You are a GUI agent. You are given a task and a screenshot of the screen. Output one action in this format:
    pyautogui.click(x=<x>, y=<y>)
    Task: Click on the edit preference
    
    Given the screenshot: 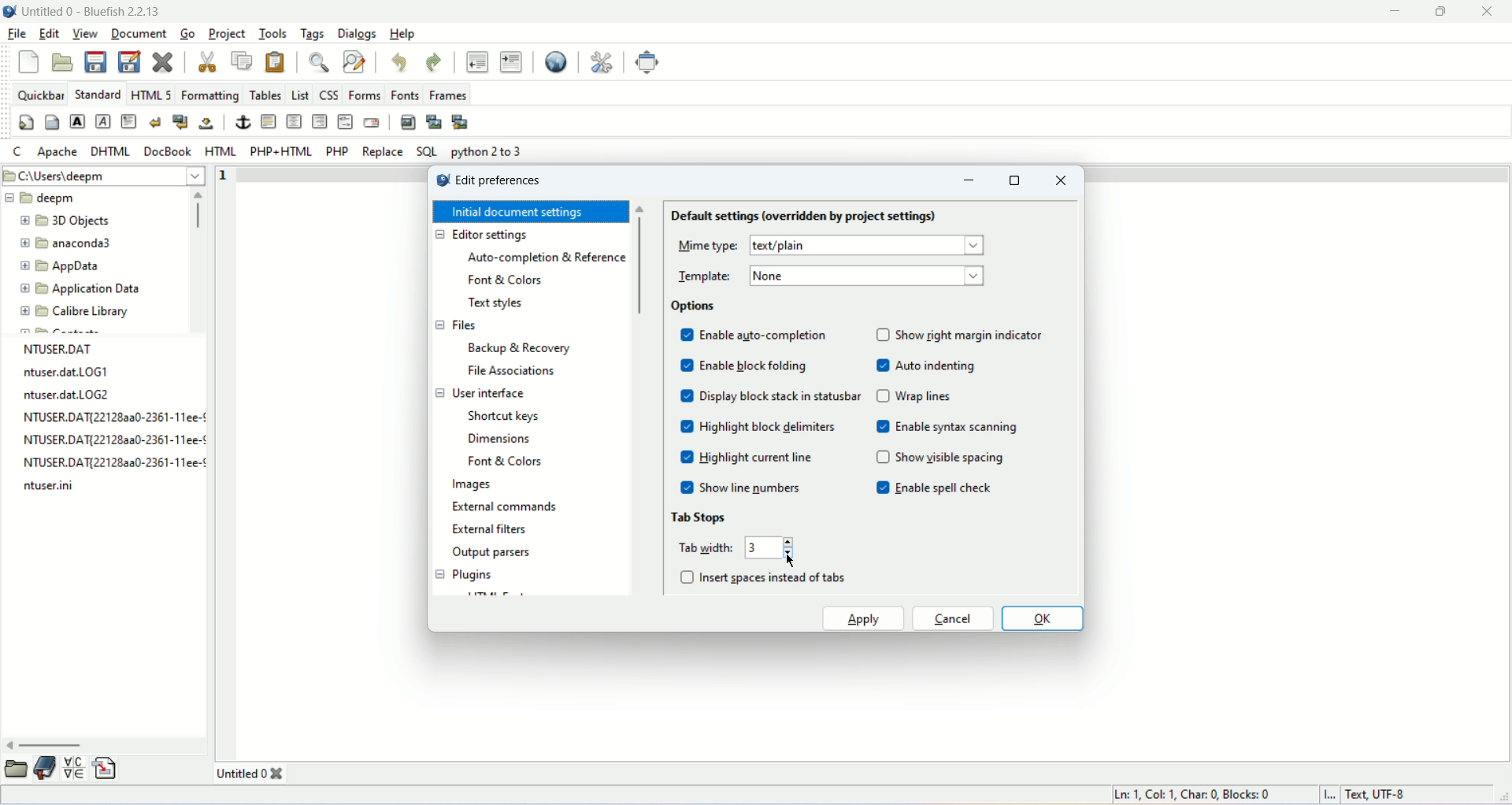 What is the action you would take?
    pyautogui.click(x=500, y=183)
    